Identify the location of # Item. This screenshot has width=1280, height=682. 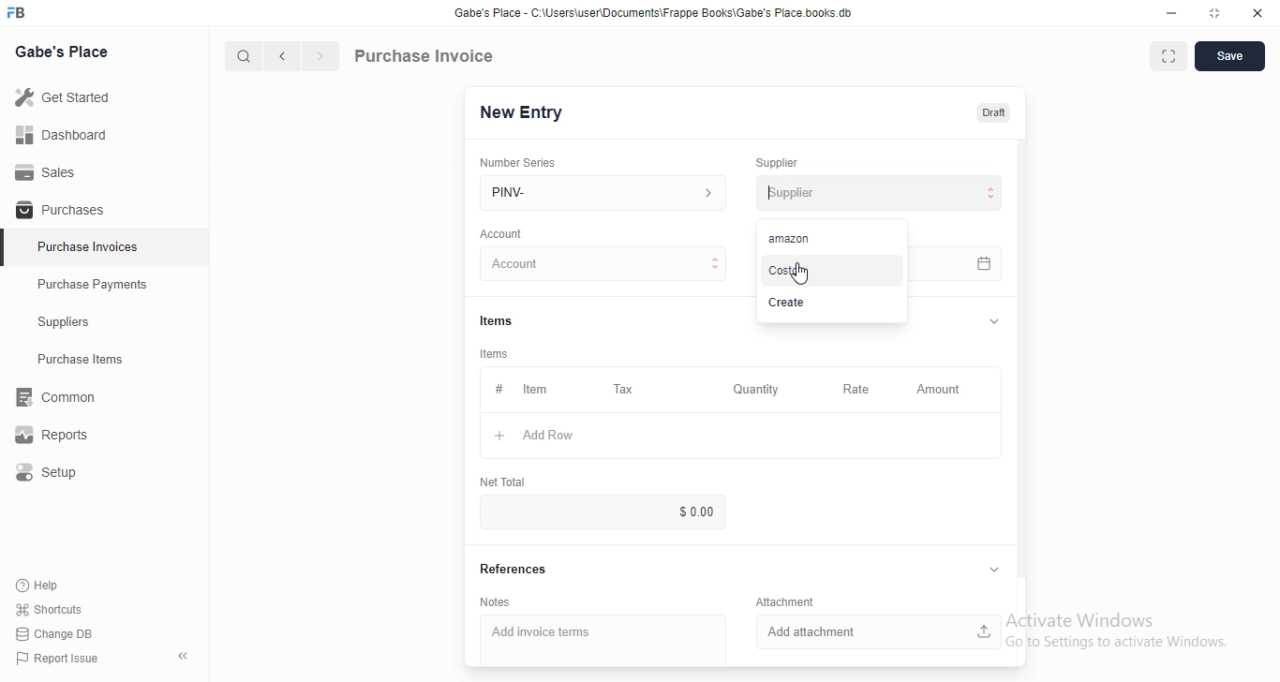
(536, 390).